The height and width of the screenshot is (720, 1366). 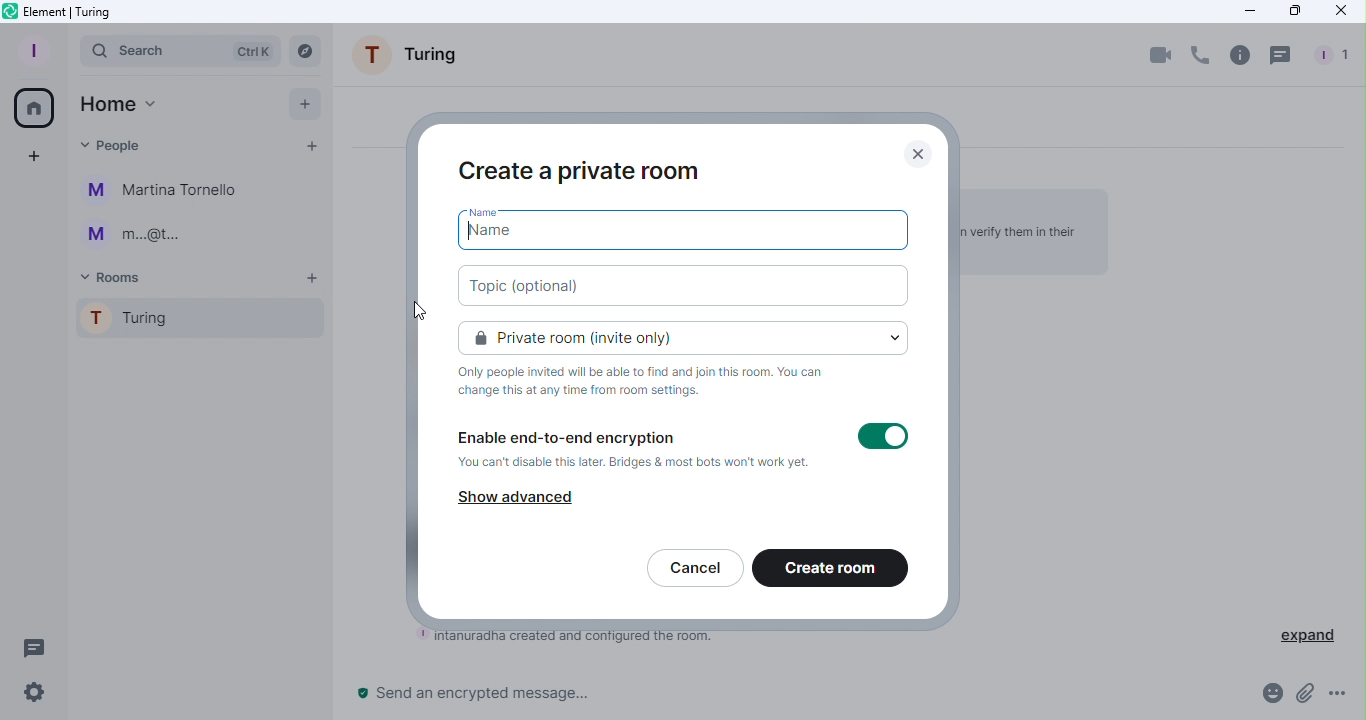 I want to click on People, so click(x=1334, y=57).